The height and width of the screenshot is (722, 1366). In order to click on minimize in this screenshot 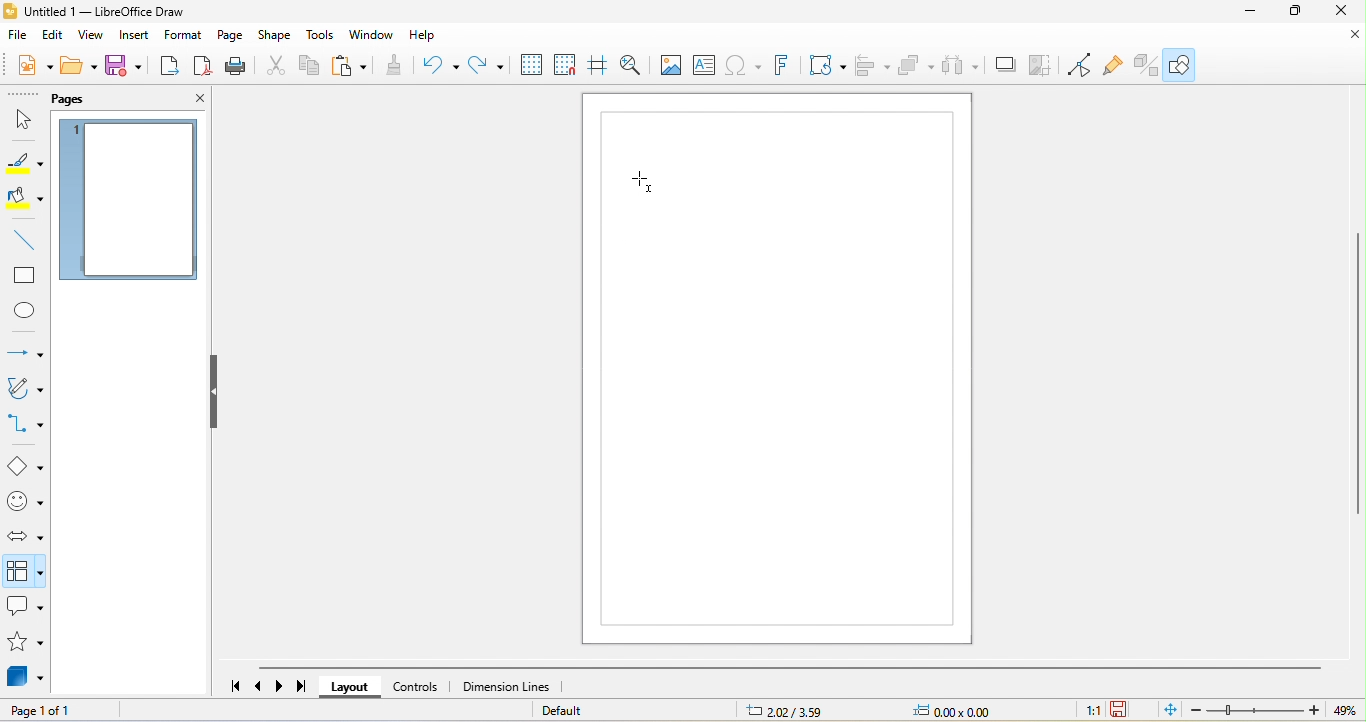, I will do `click(1245, 14)`.